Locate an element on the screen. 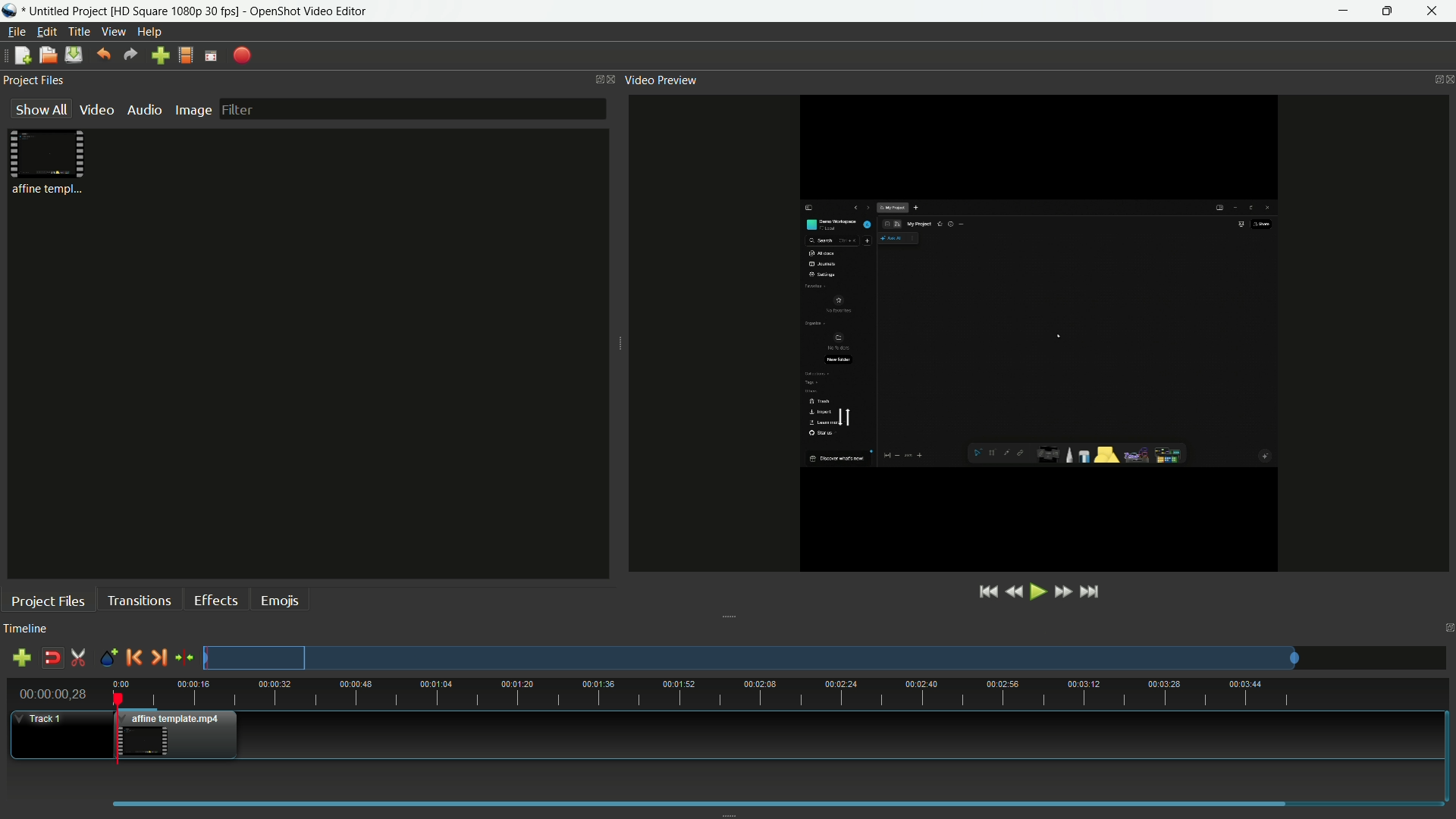 The width and height of the screenshot is (1456, 819). audio is located at coordinates (146, 110).